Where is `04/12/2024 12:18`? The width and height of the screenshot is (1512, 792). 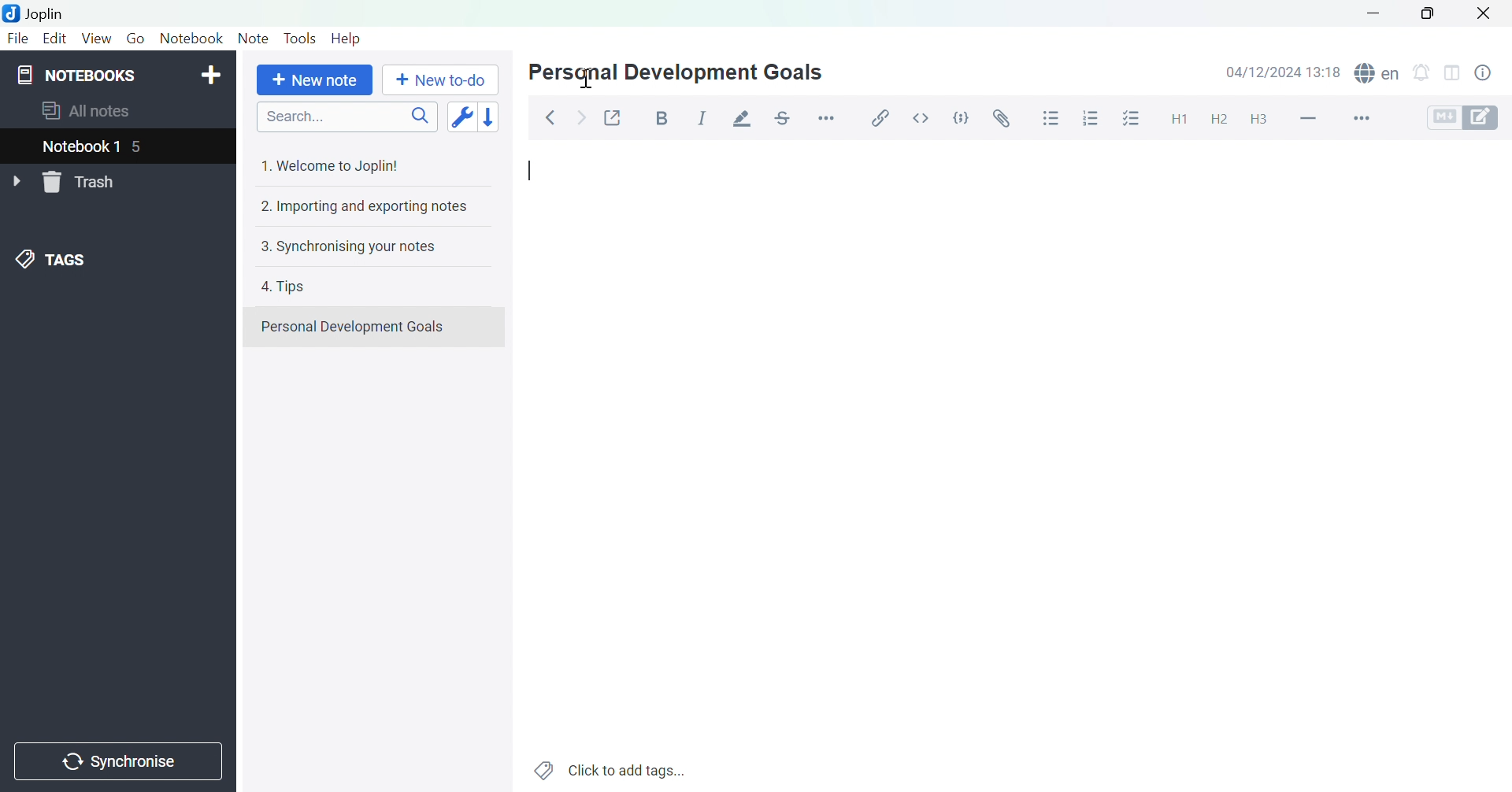
04/12/2024 12:18 is located at coordinates (1284, 72).